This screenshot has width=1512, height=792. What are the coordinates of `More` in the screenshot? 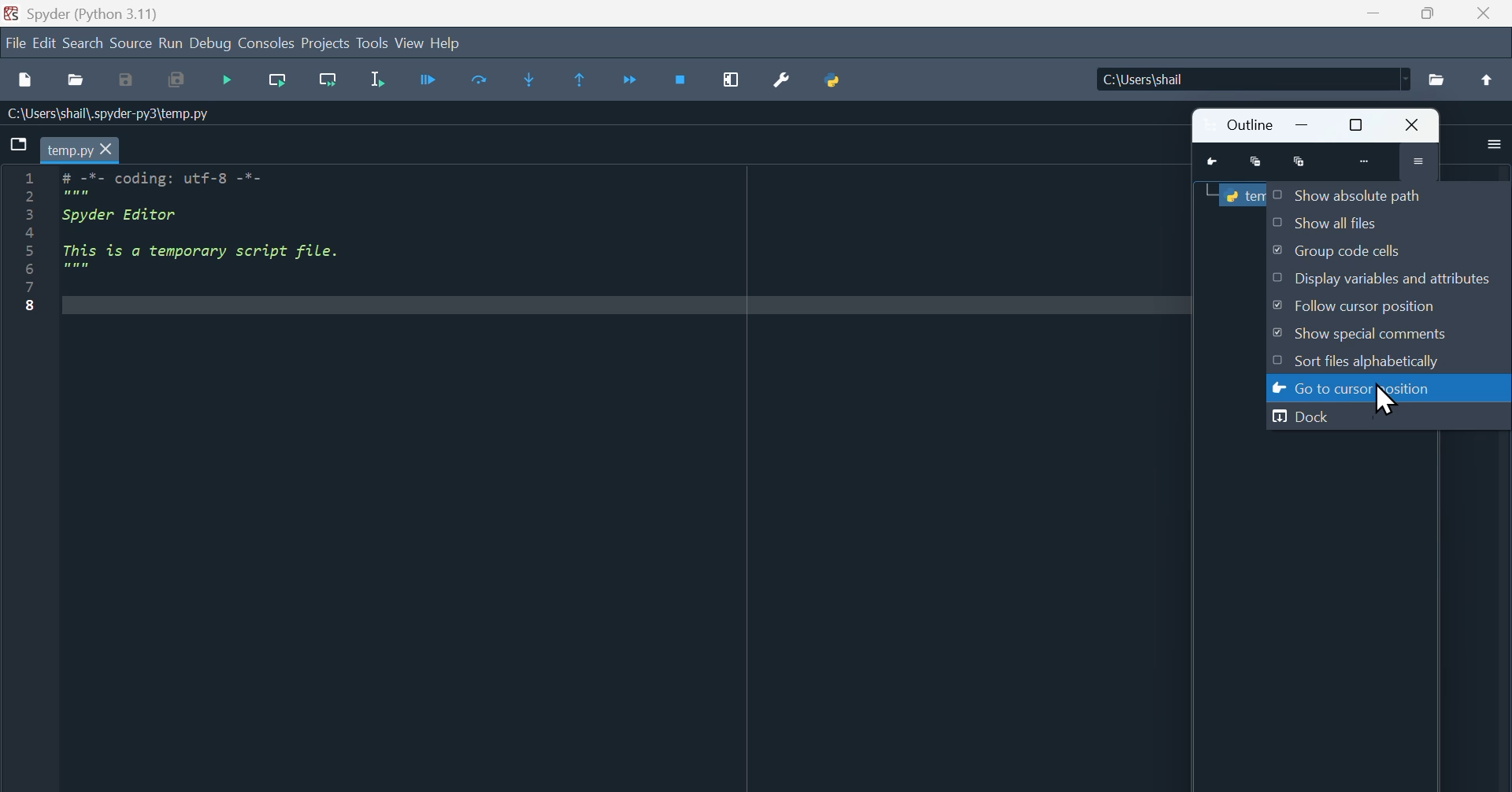 It's located at (1366, 161).